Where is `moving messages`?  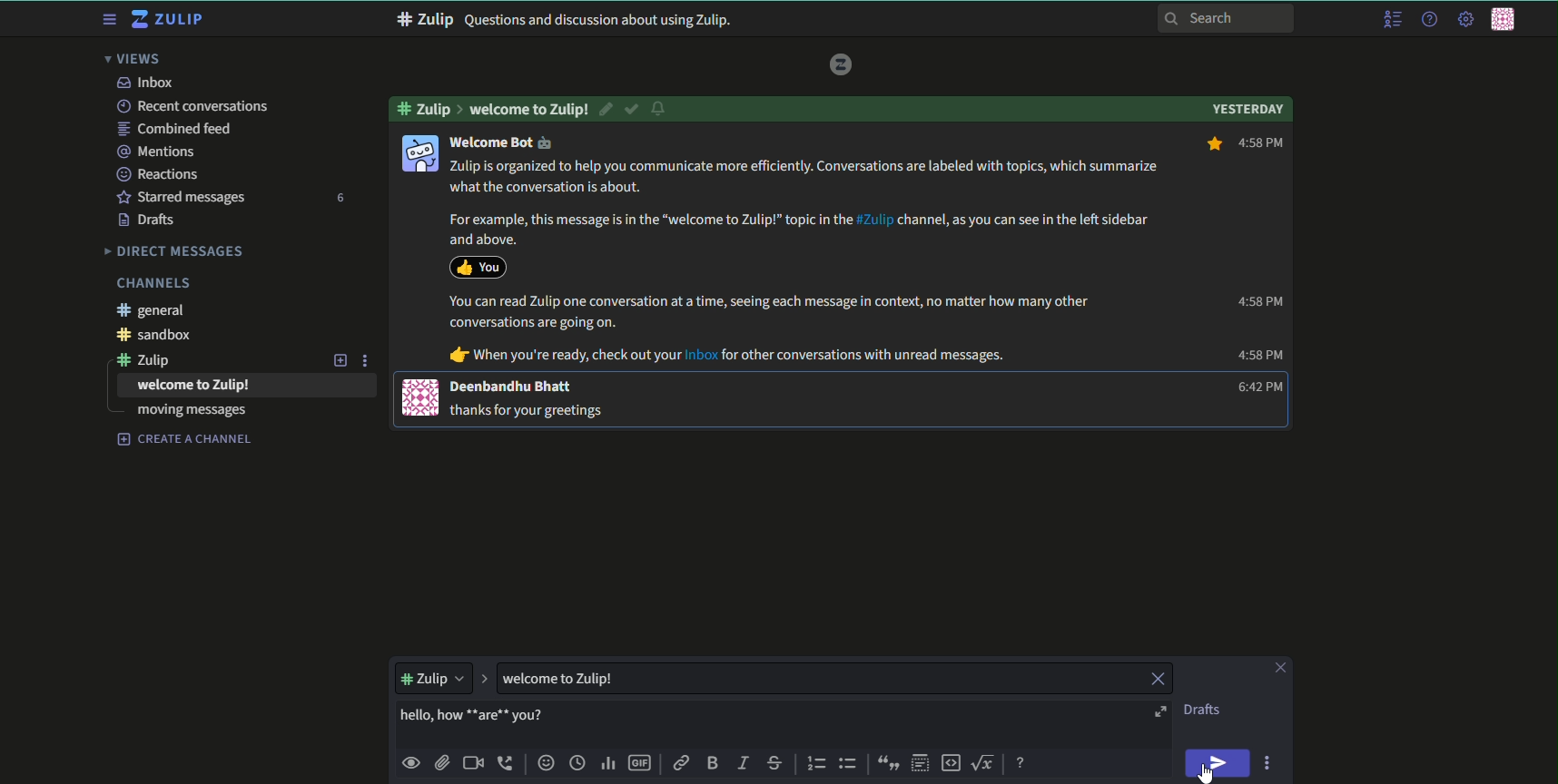
moving messages is located at coordinates (192, 412).